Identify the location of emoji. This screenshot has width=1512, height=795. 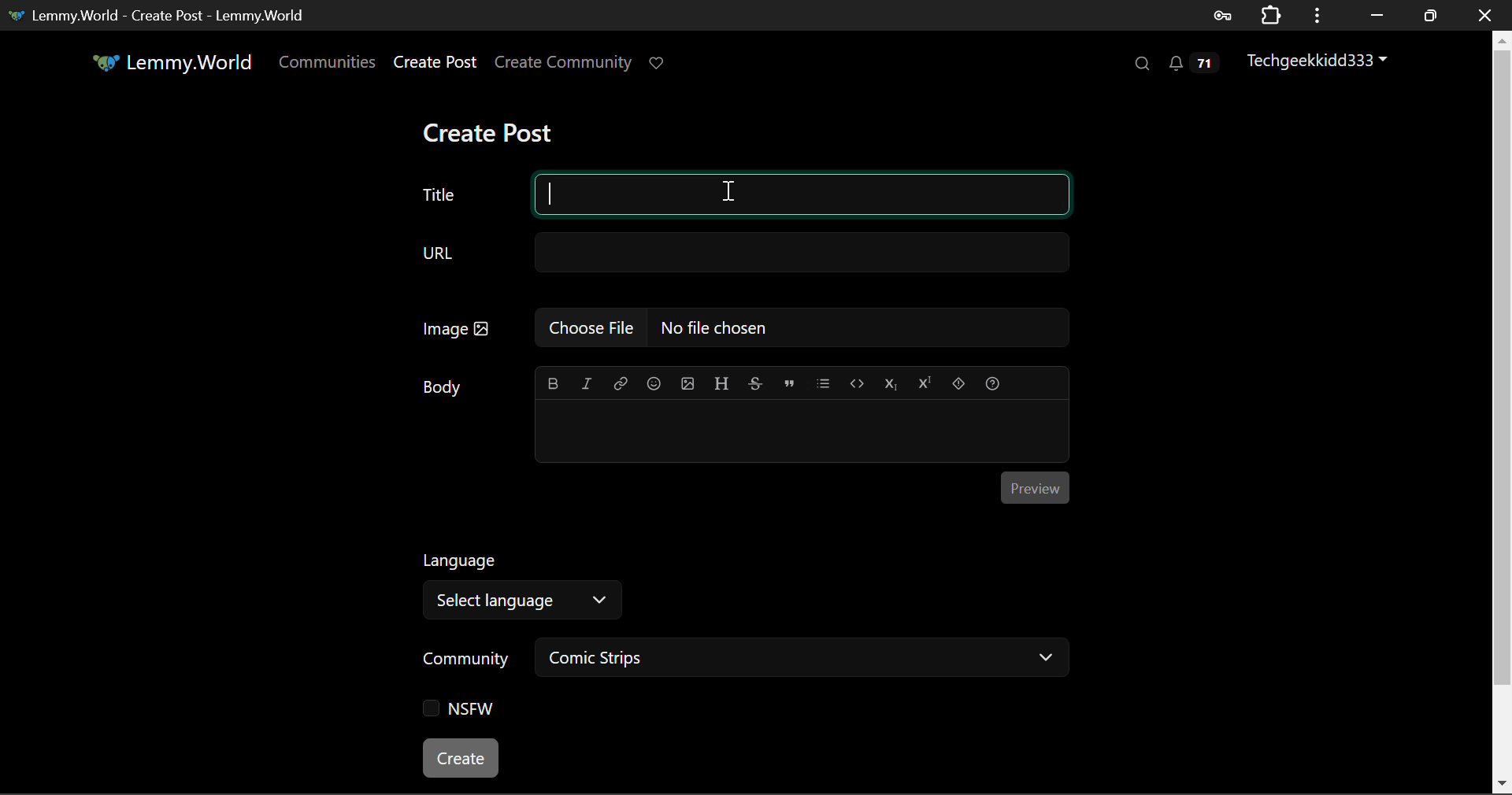
(651, 380).